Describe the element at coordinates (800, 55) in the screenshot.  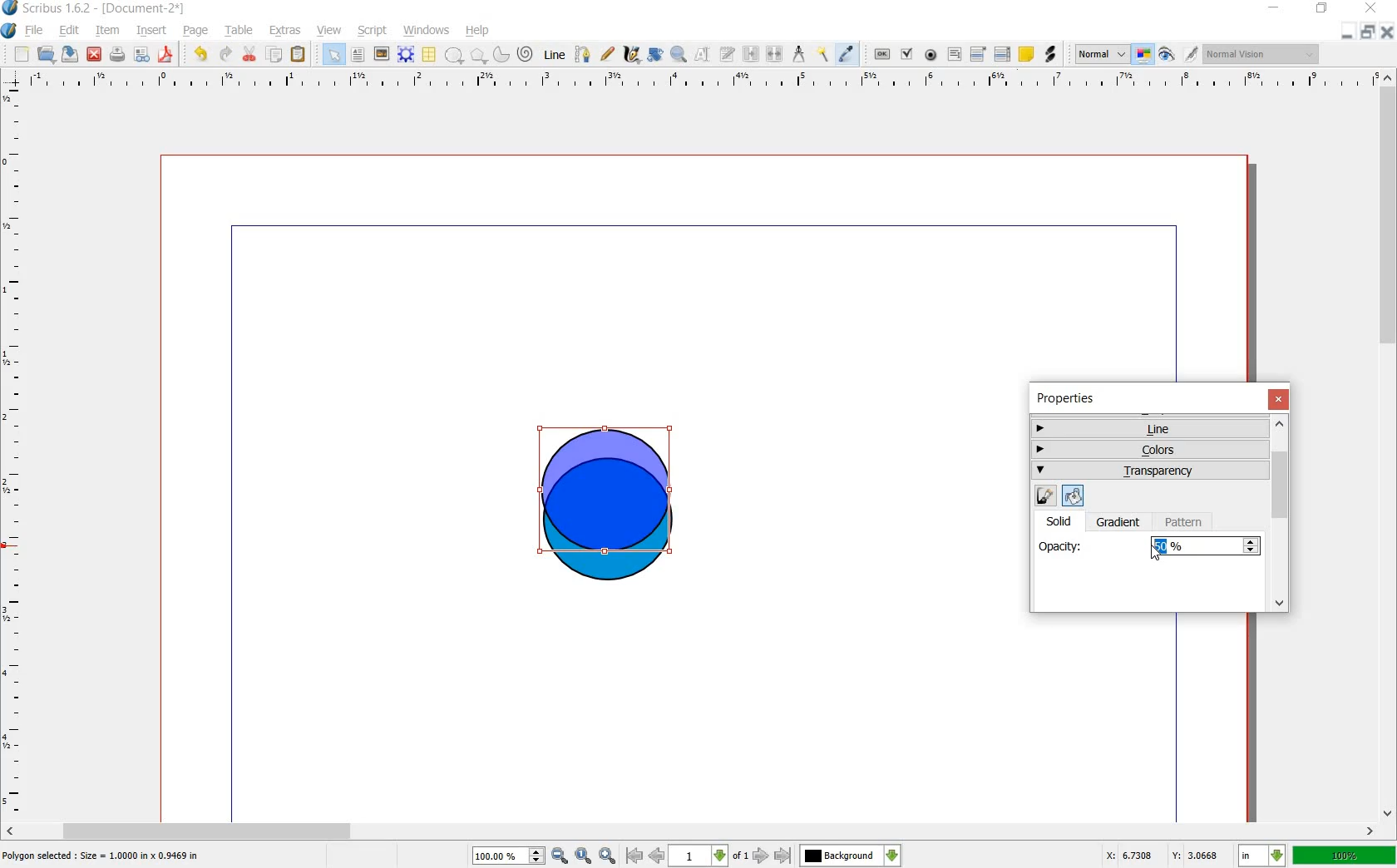
I see `measurement` at that location.